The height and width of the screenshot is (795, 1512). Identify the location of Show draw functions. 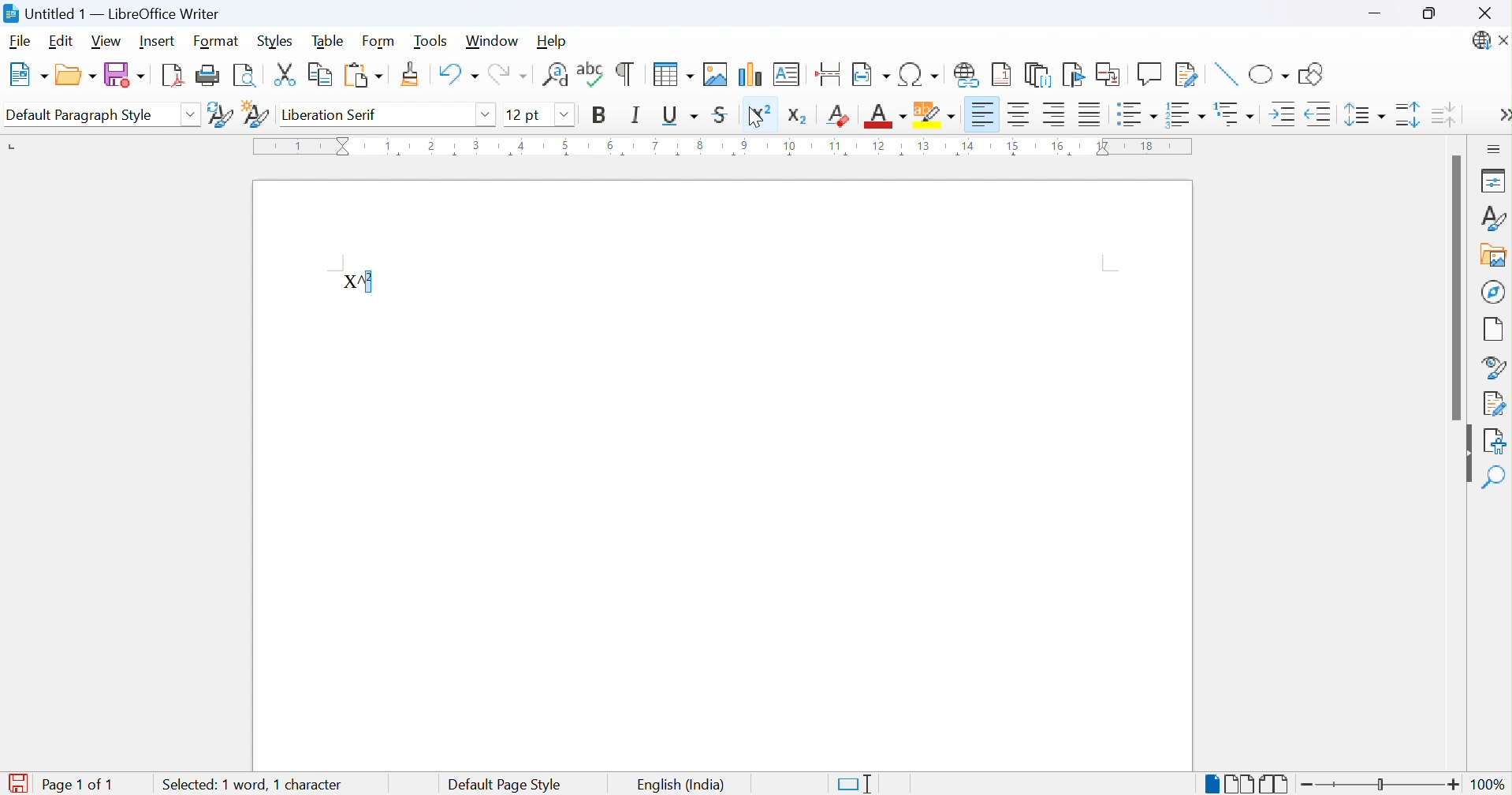
(1315, 73).